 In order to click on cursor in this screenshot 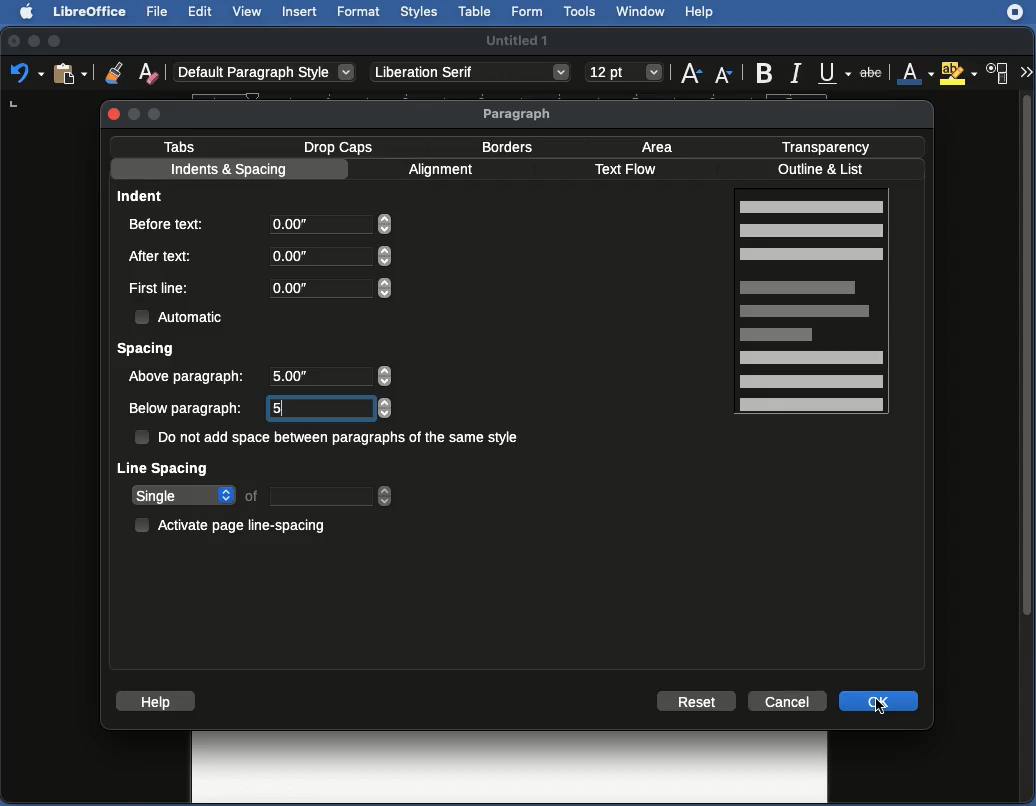, I will do `click(883, 712)`.